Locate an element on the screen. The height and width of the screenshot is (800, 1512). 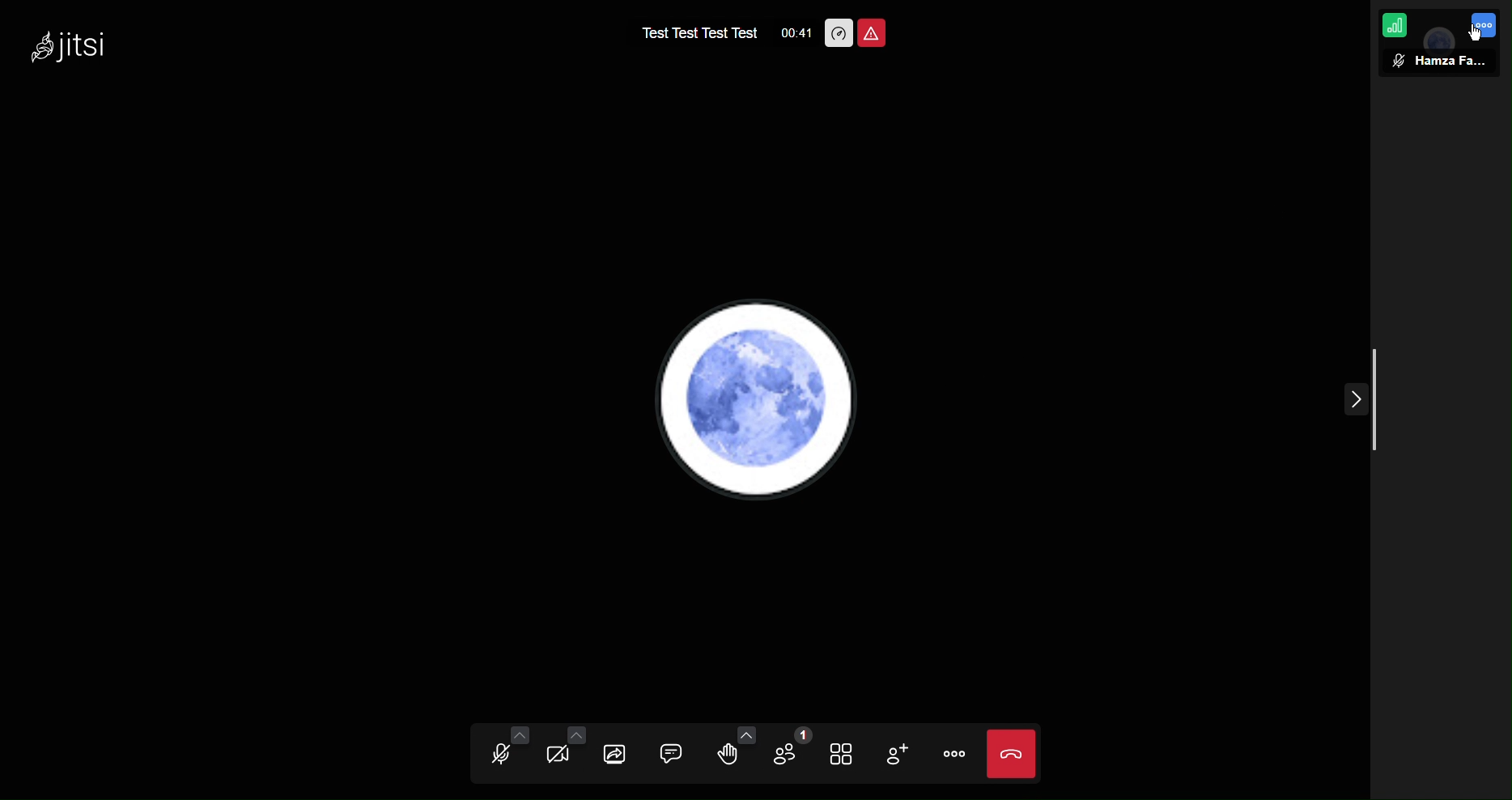
Tile View is located at coordinates (842, 752).